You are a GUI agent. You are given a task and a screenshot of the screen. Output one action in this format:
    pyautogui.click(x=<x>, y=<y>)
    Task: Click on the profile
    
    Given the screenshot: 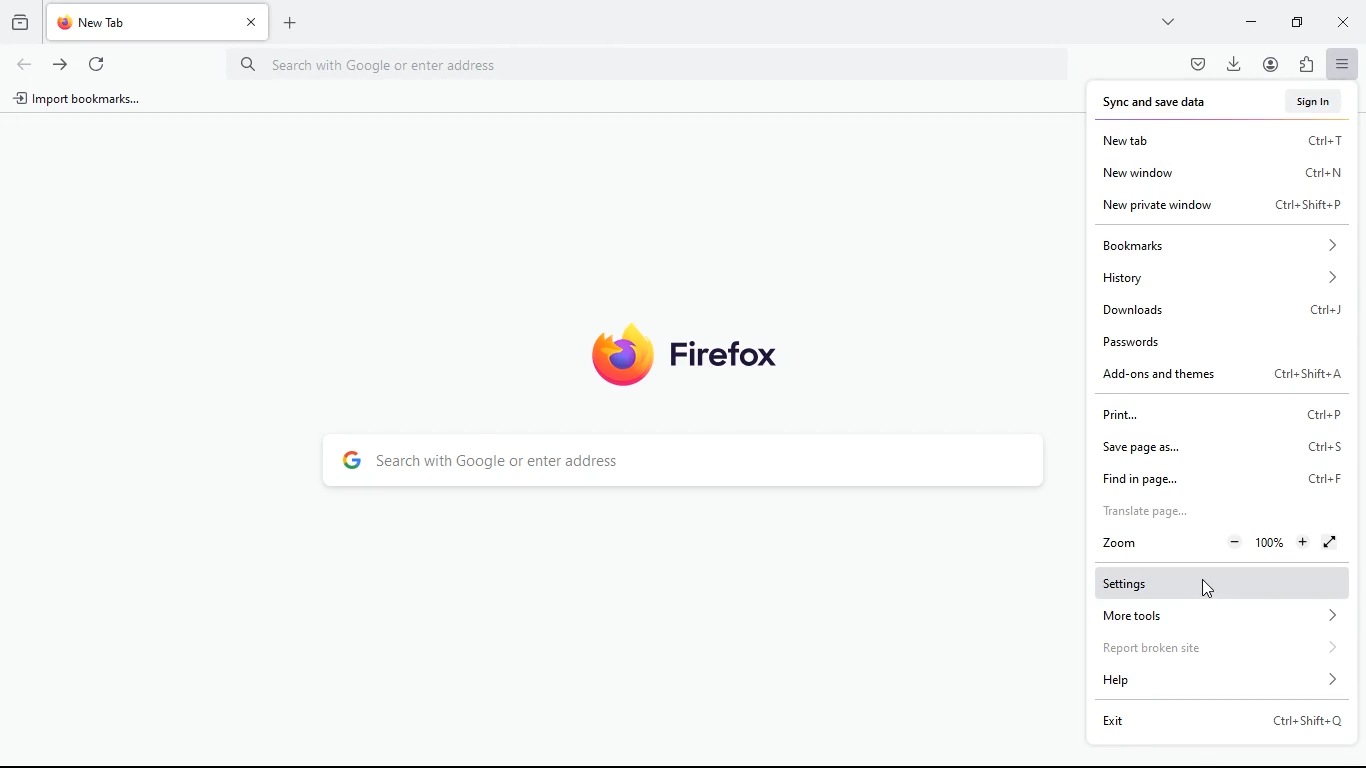 What is the action you would take?
    pyautogui.click(x=1270, y=64)
    